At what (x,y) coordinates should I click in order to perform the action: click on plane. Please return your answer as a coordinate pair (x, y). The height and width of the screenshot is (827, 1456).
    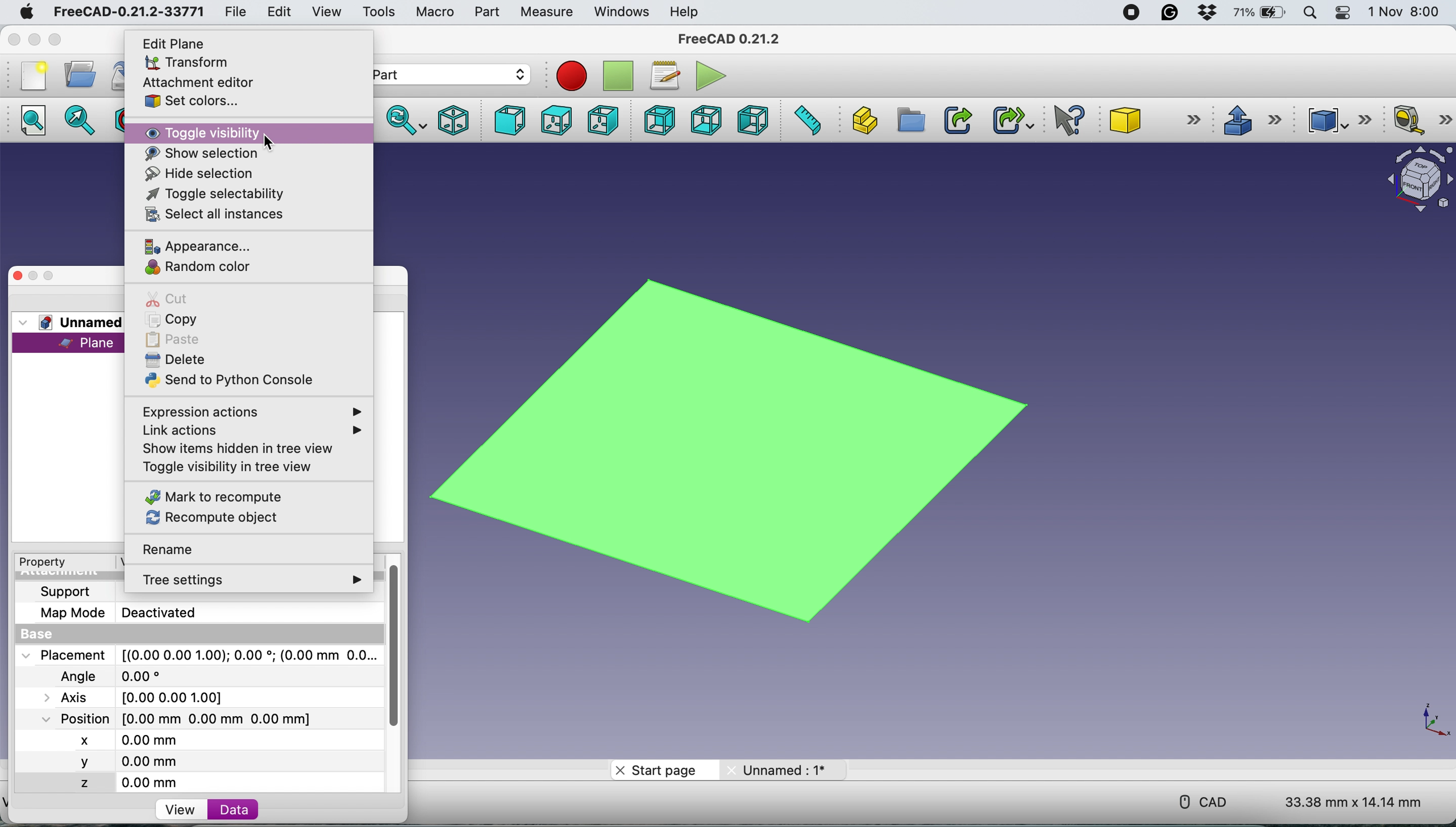
    Looking at the image, I should click on (726, 449).